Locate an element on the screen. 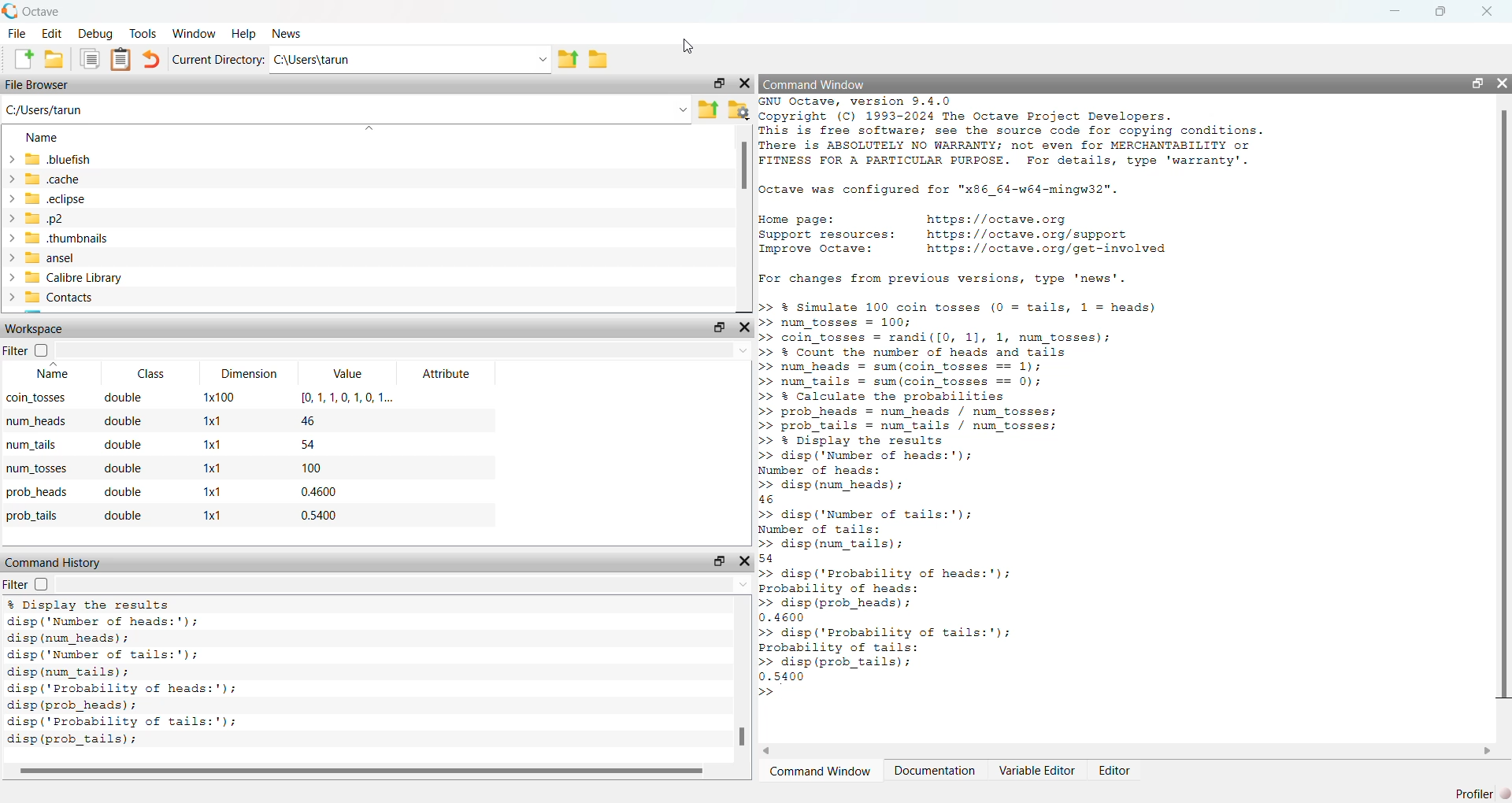 This screenshot has height=803, width=1512. Folder settings is located at coordinates (737, 110).